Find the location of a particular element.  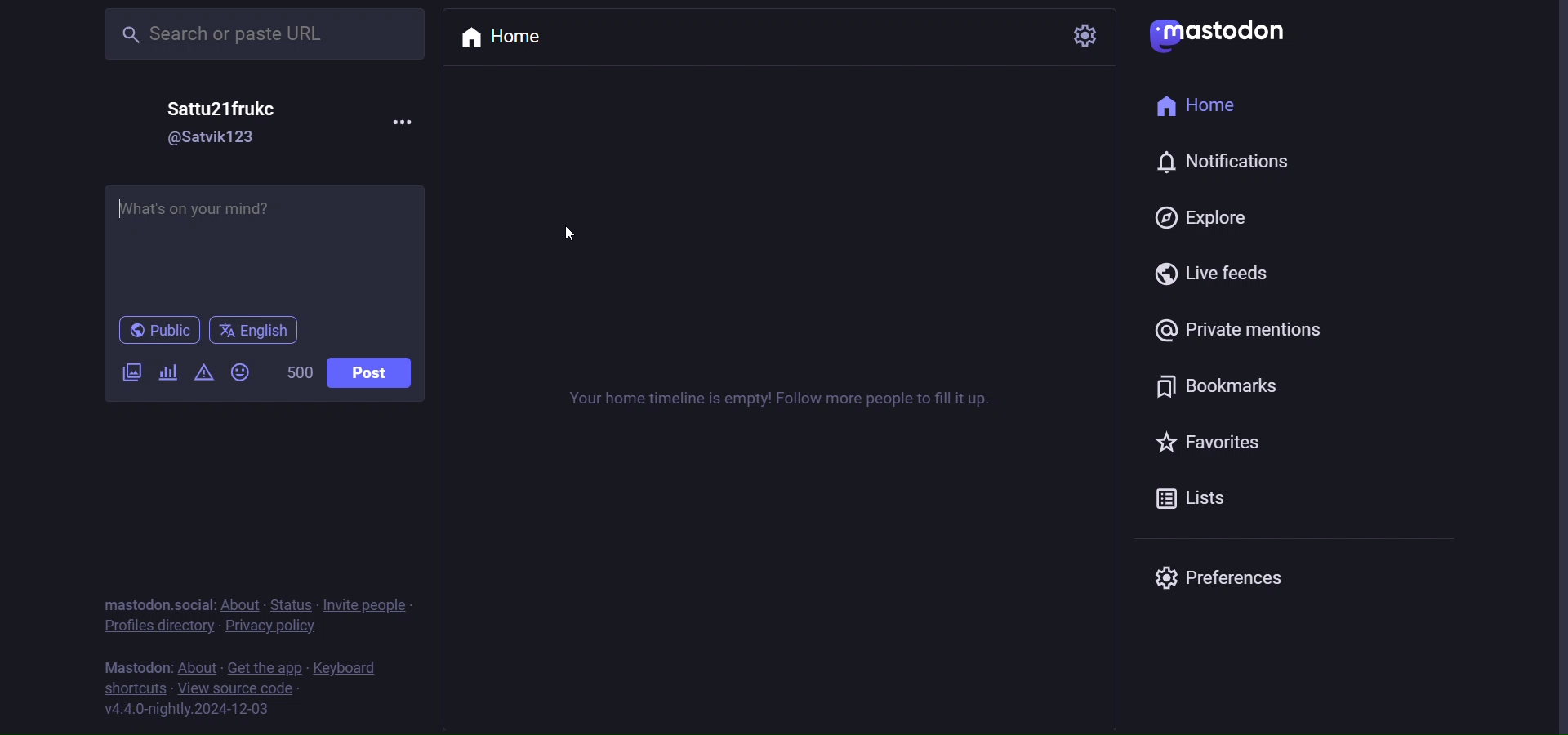

invite people is located at coordinates (367, 604).